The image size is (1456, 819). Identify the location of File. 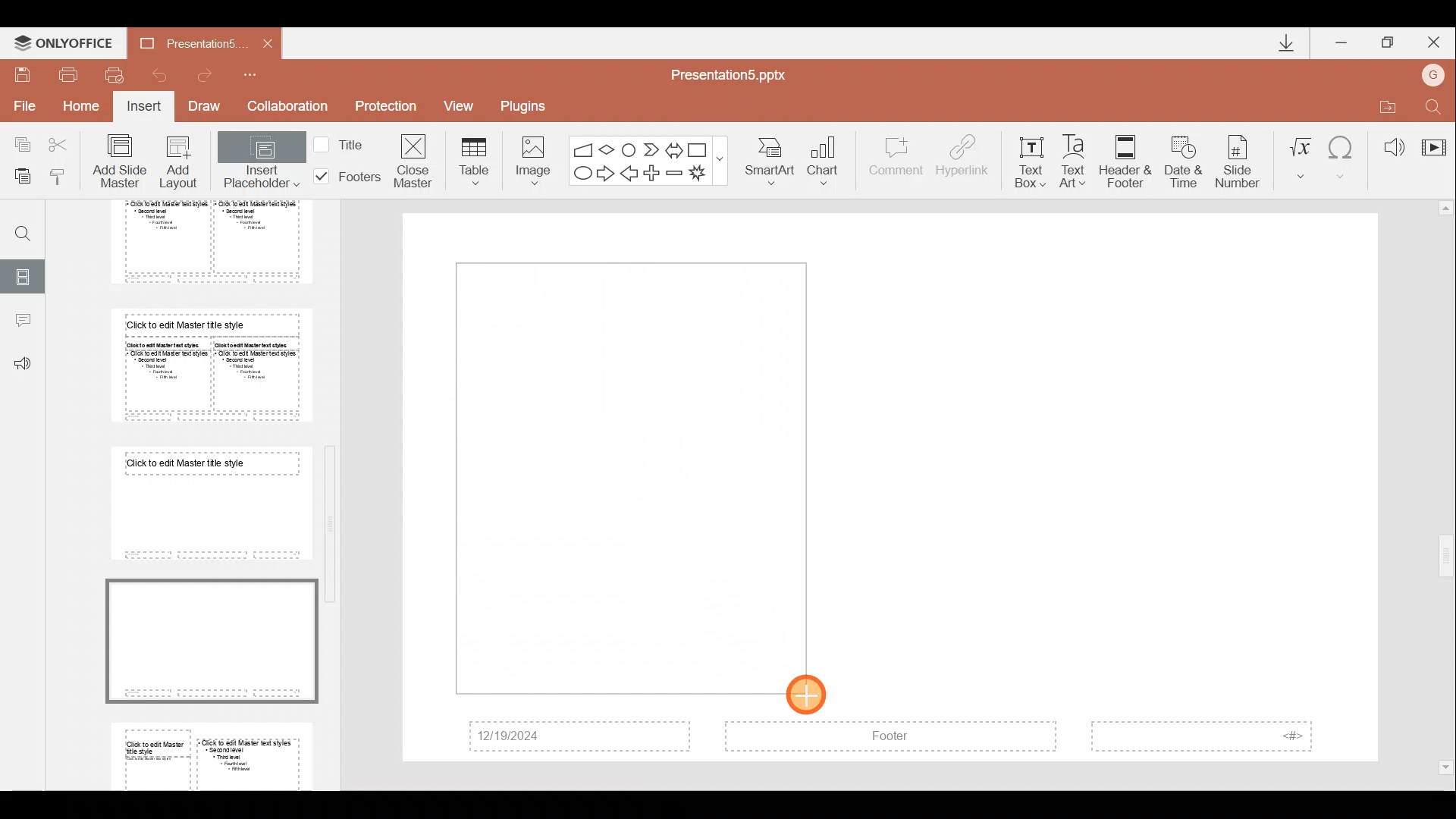
(22, 105).